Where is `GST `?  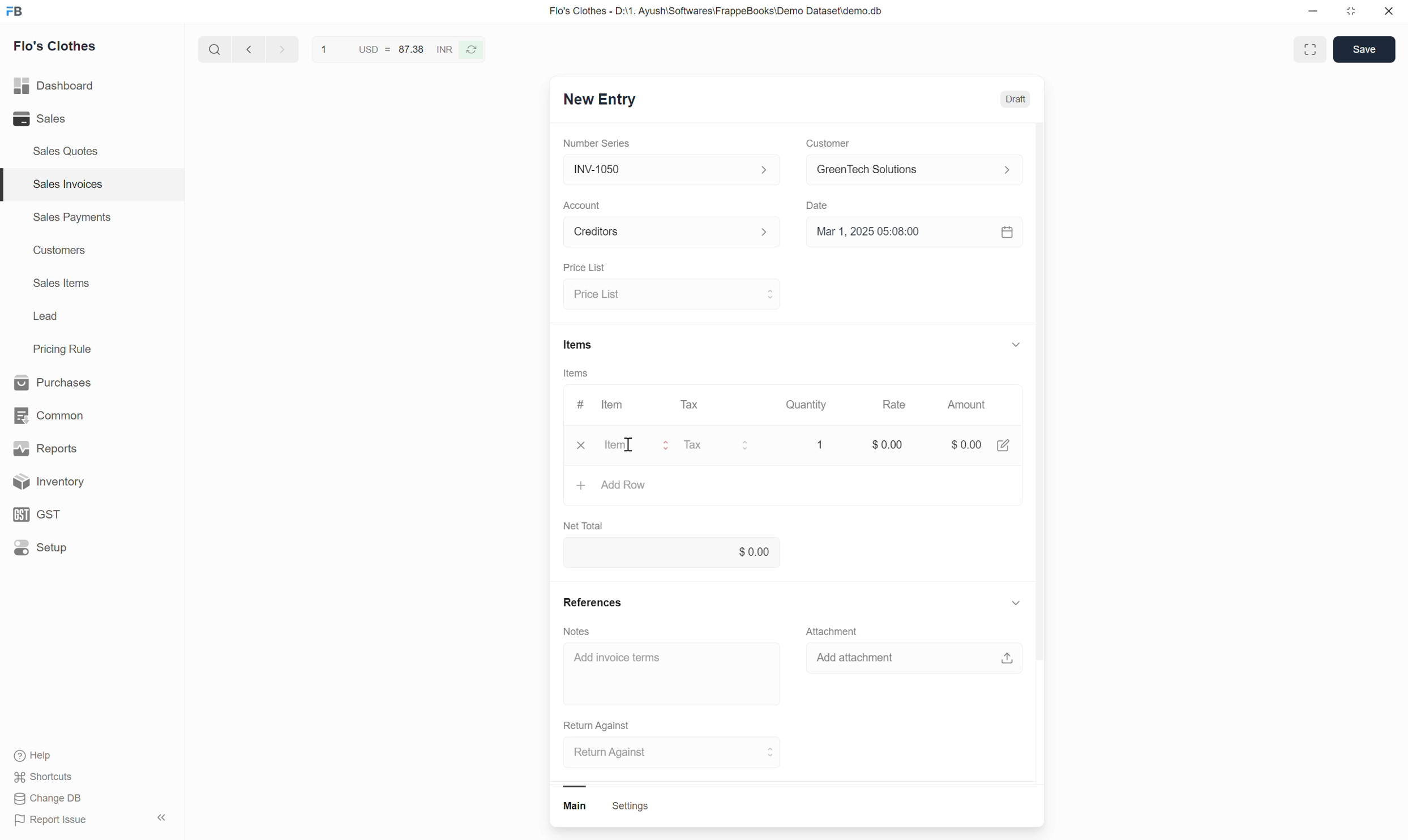
GST  is located at coordinates (79, 513).